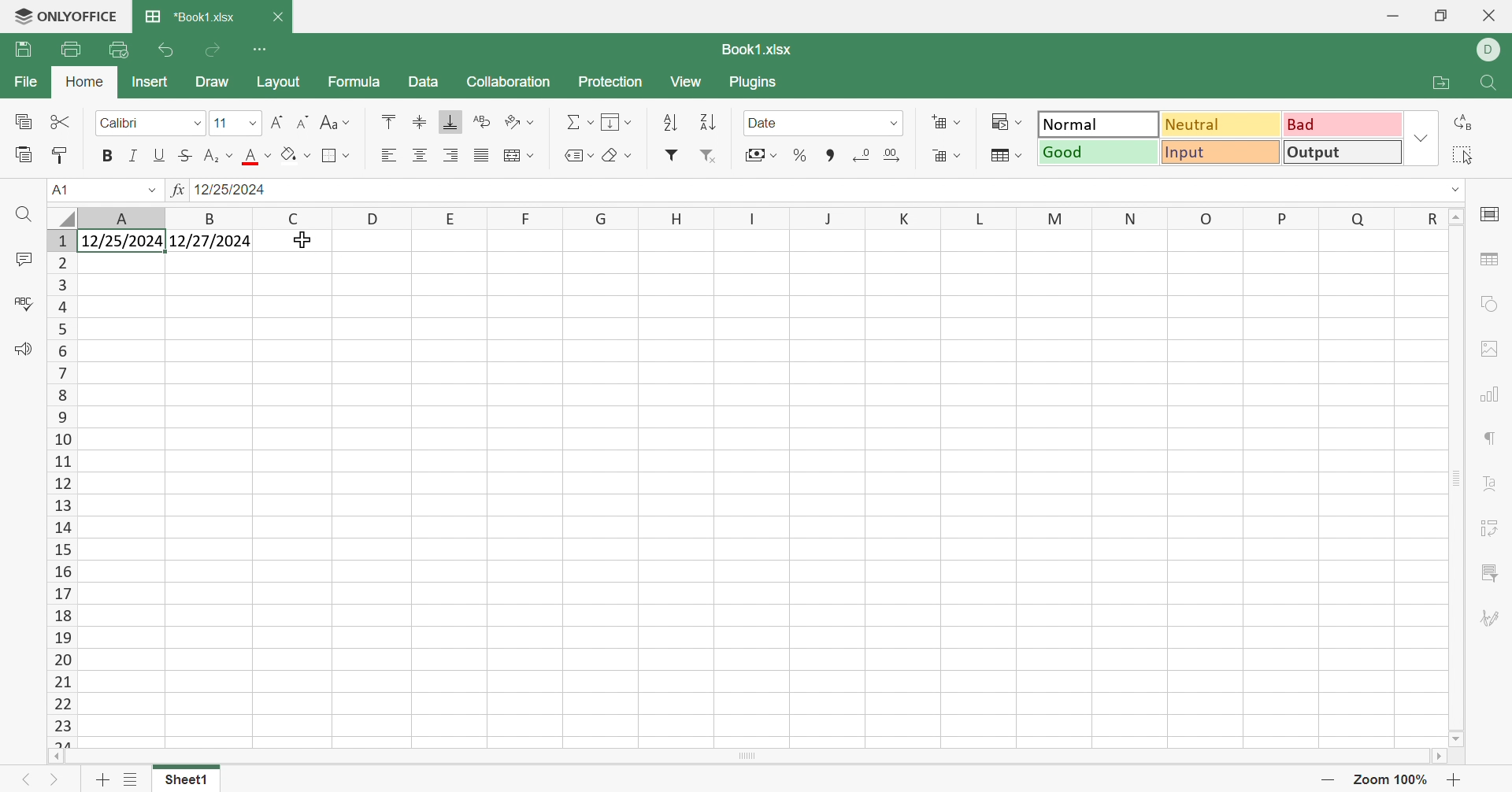 This screenshot has height=792, width=1512. I want to click on Comma style, so click(830, 156).